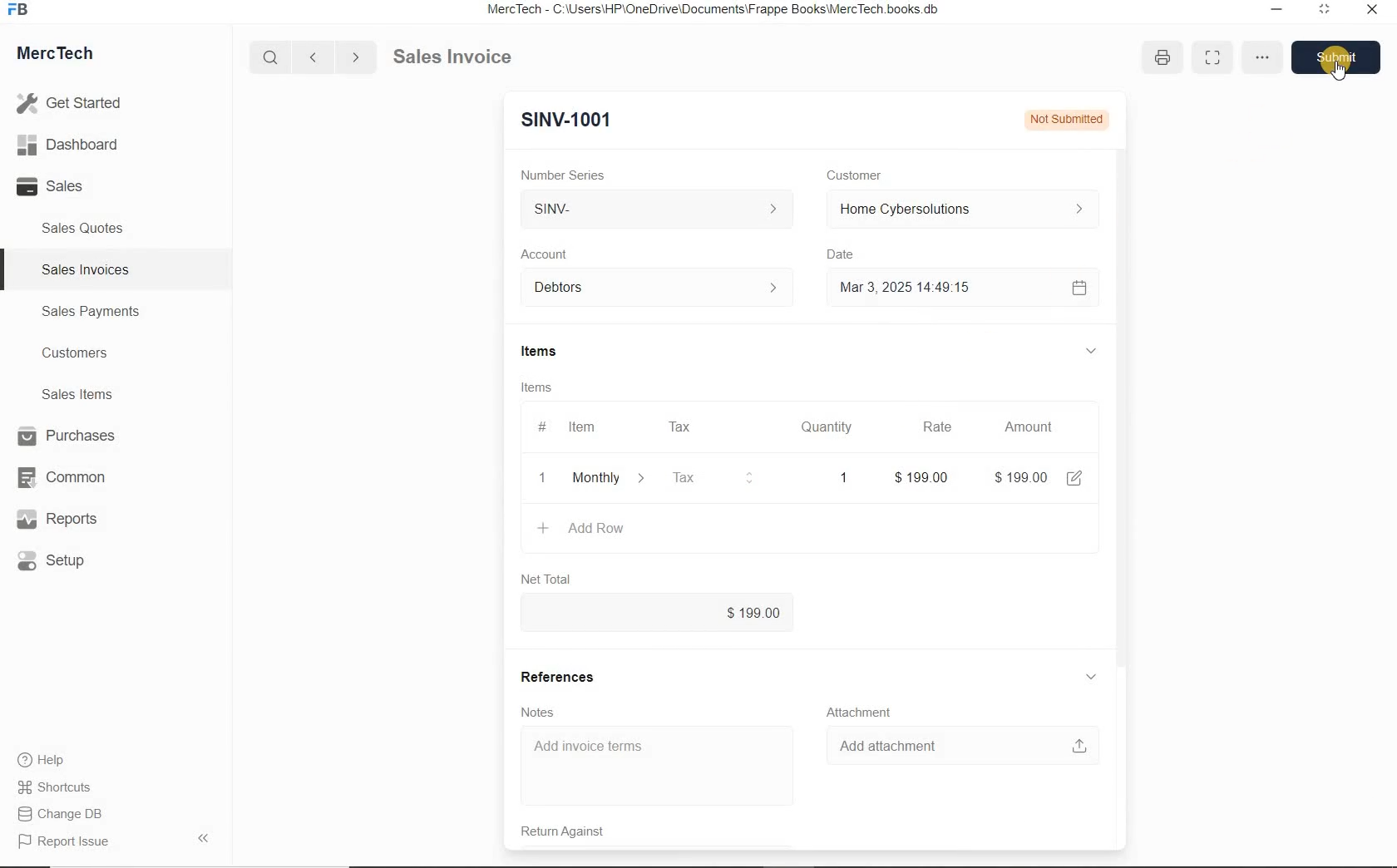  What do you see at coordinates (680, 426) in the screenshot?
I see `Tax` at bounding box center [680, 426].